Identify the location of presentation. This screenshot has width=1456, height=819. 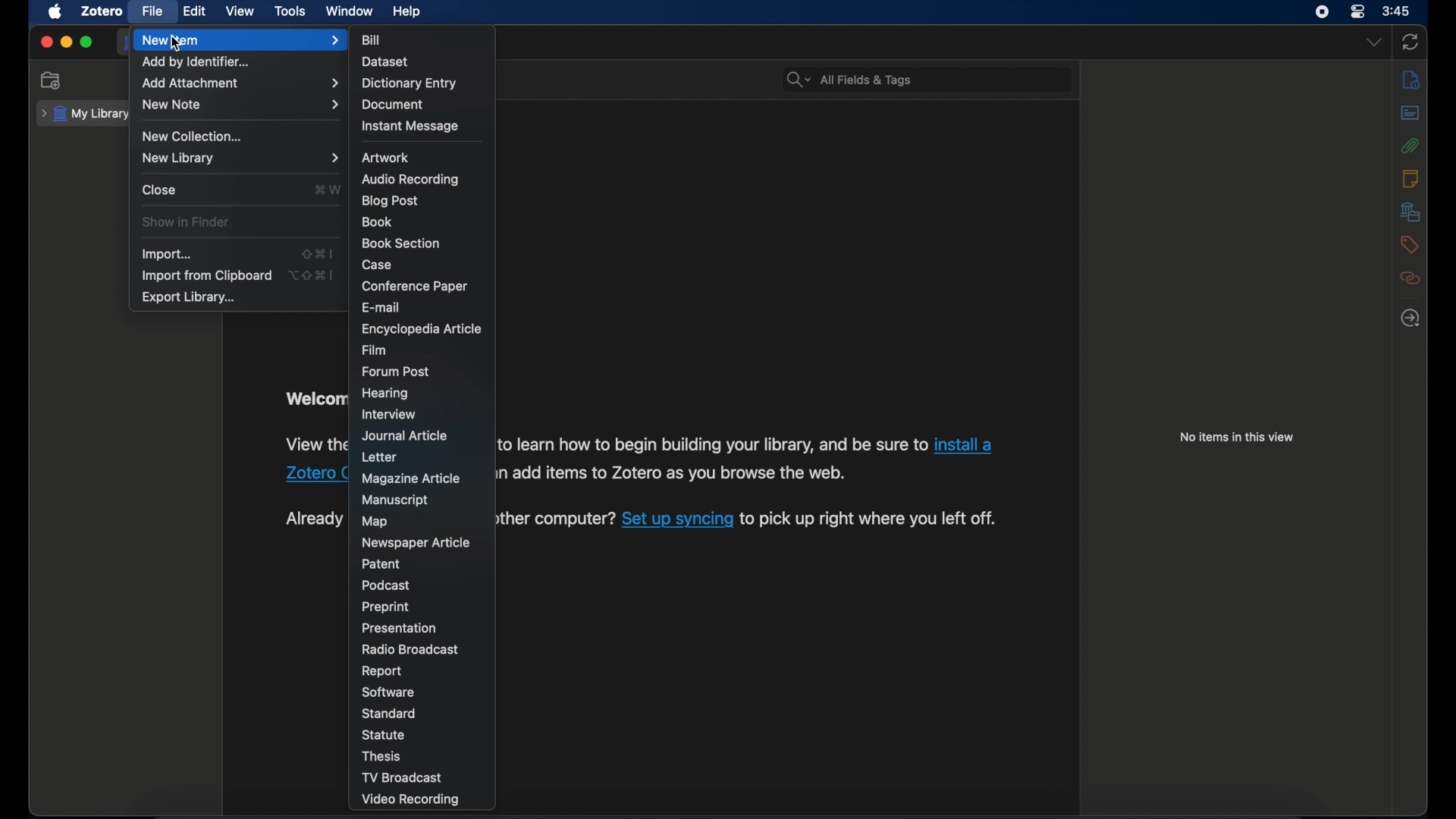
(400, 628).